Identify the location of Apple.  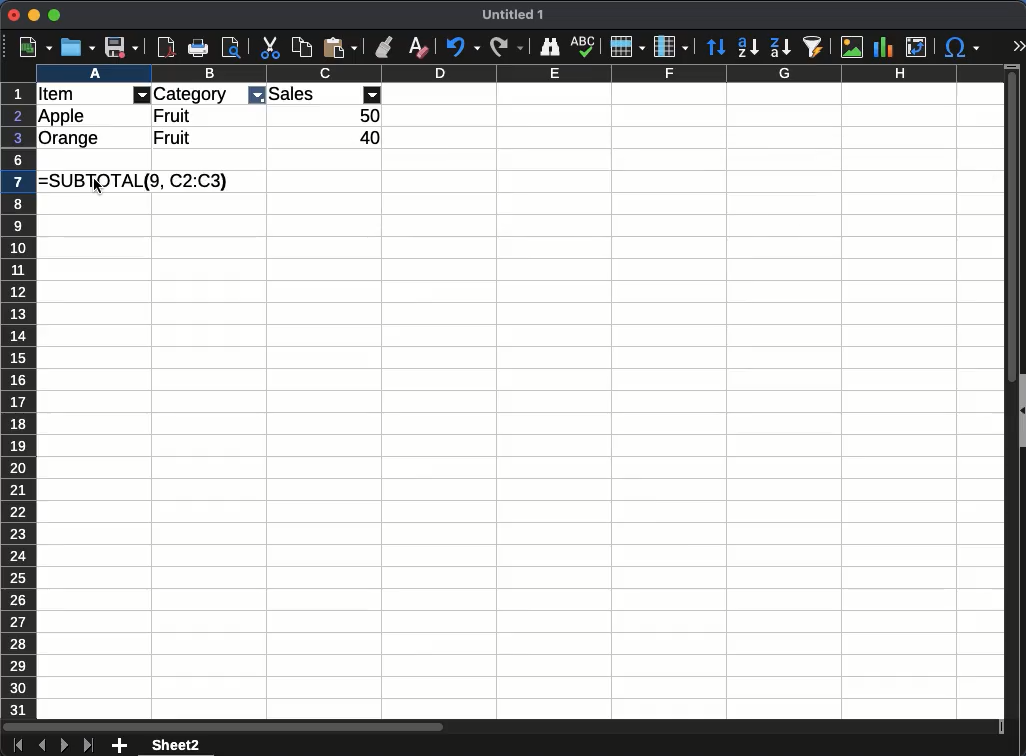
(63, 116).